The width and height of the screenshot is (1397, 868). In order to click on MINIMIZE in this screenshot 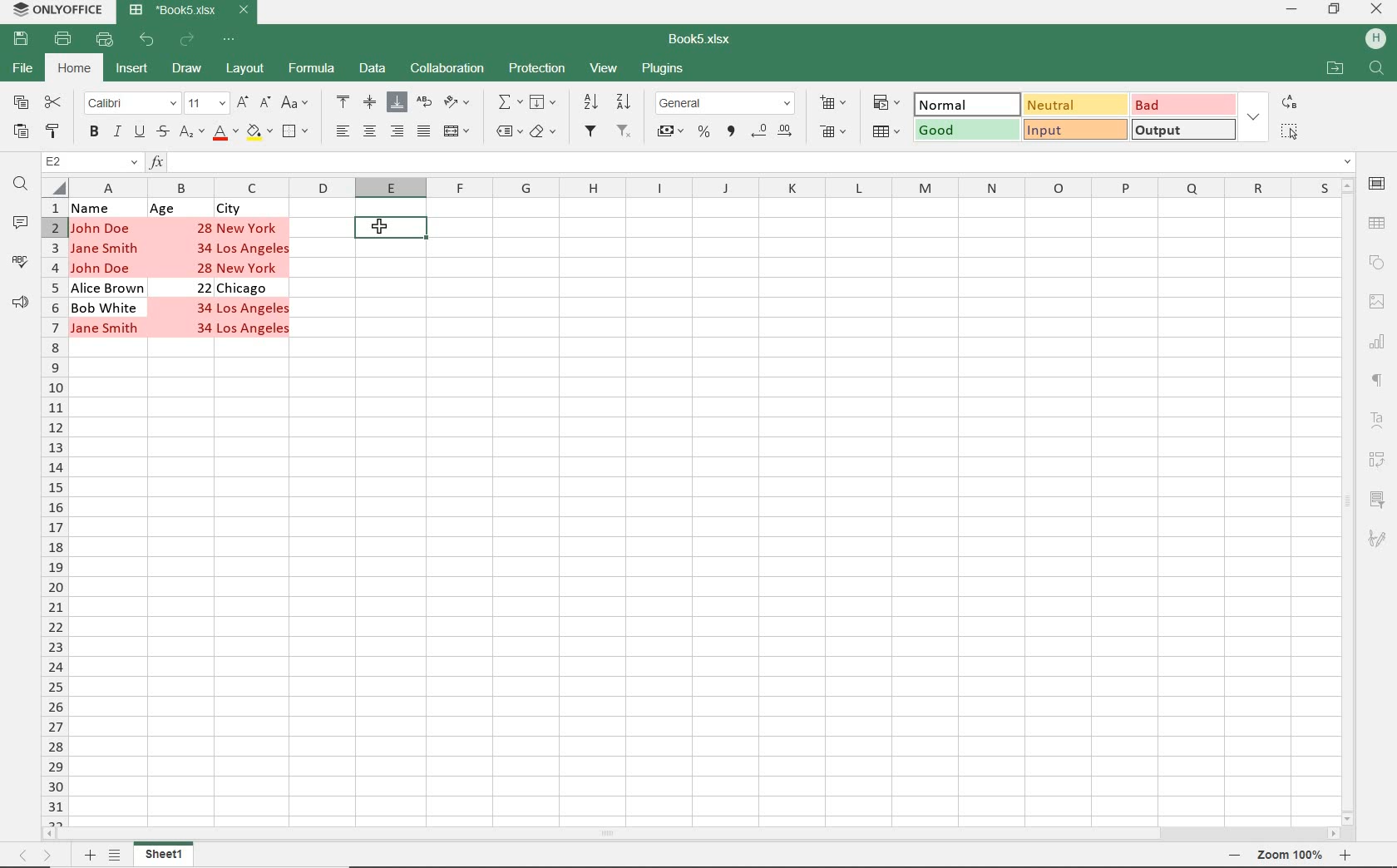, I will do `click(1291, 8)`.